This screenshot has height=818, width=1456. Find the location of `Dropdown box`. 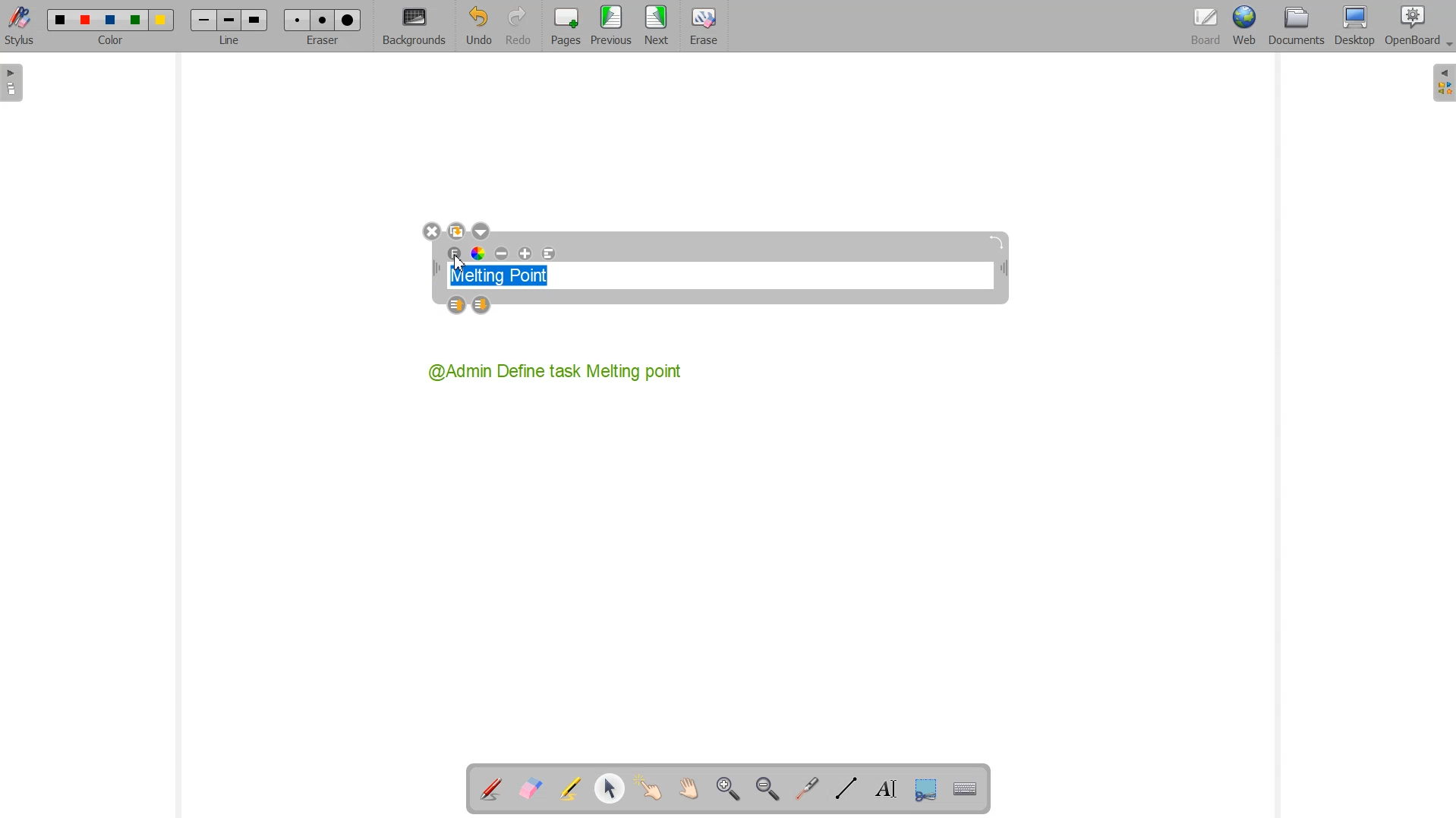

Dropdown box is located at coordinates (1447, 46).